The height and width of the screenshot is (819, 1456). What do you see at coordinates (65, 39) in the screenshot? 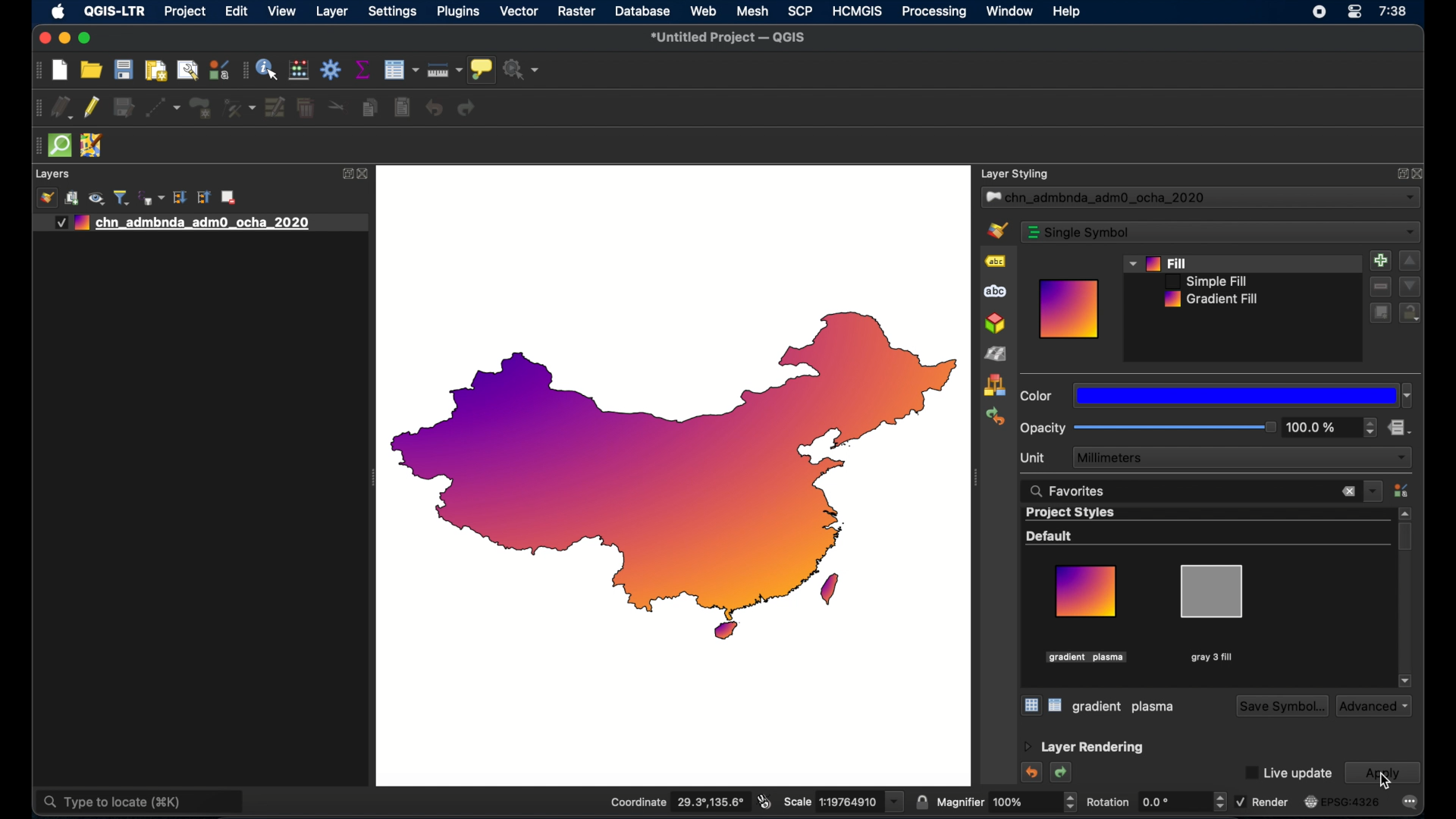
I see `minimize` at bounding box center [65, 39].